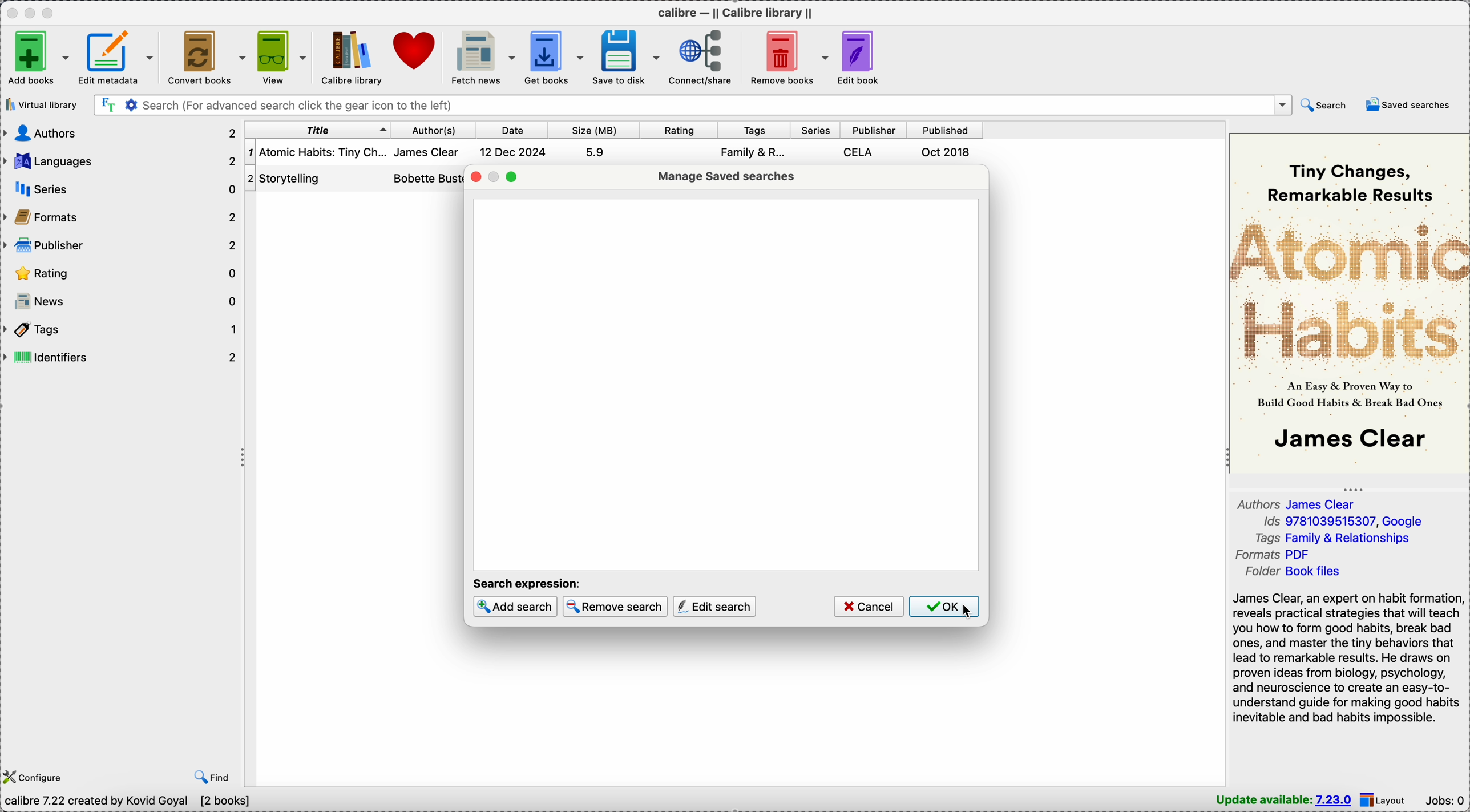 The height and width of the screenshot is (812, 1470). I want to click on Ids: 97810395153985307, google, so click(1342, 522).